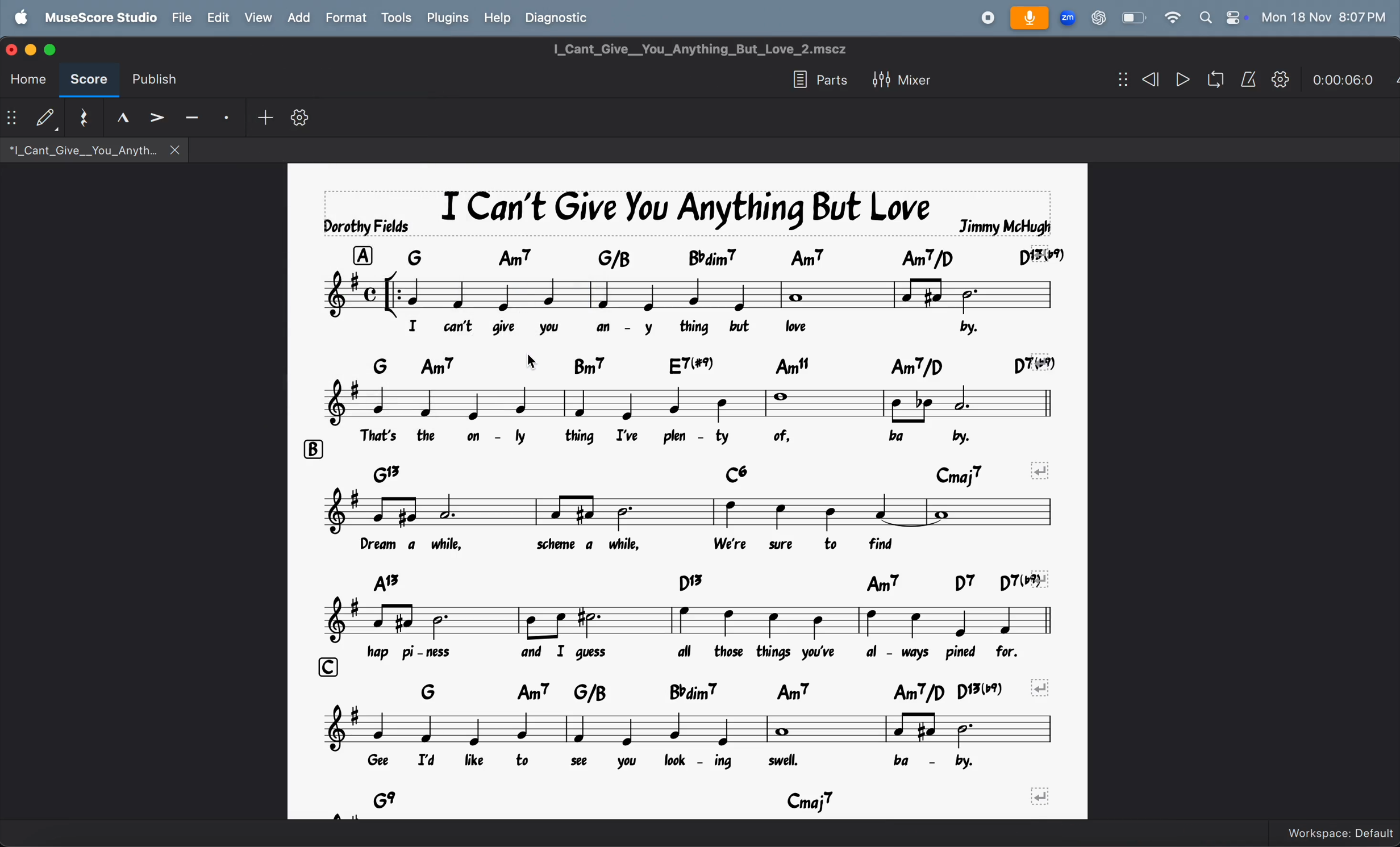  Describe the element at coordinates (31, 115) in the screenshot. I see `default step time` at that location.